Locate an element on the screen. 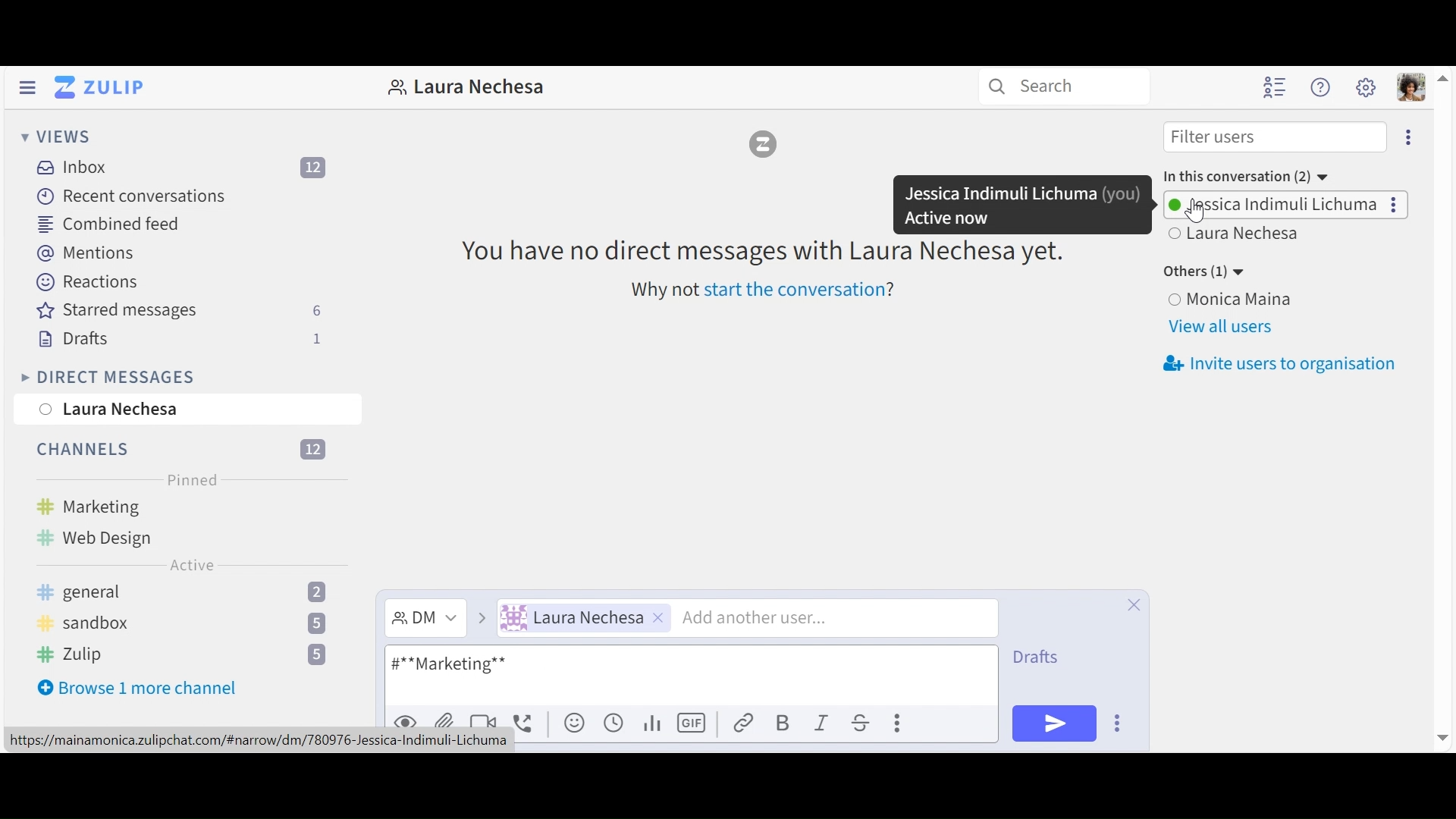 The height and width of the screenshot is (819, 1456). compose message is located at coordinates (690, 672).